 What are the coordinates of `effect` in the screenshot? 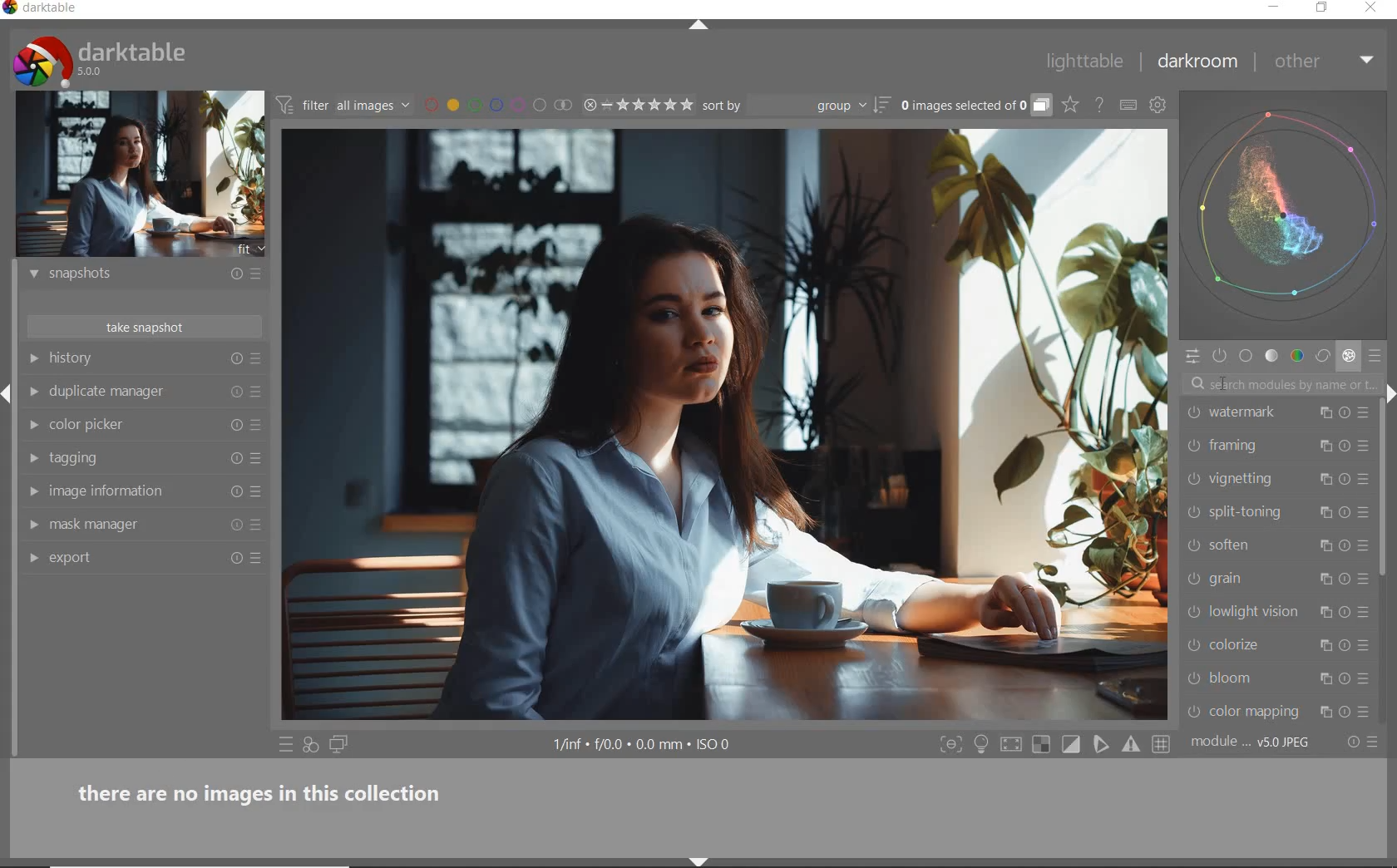 It's located at (1349, 358).